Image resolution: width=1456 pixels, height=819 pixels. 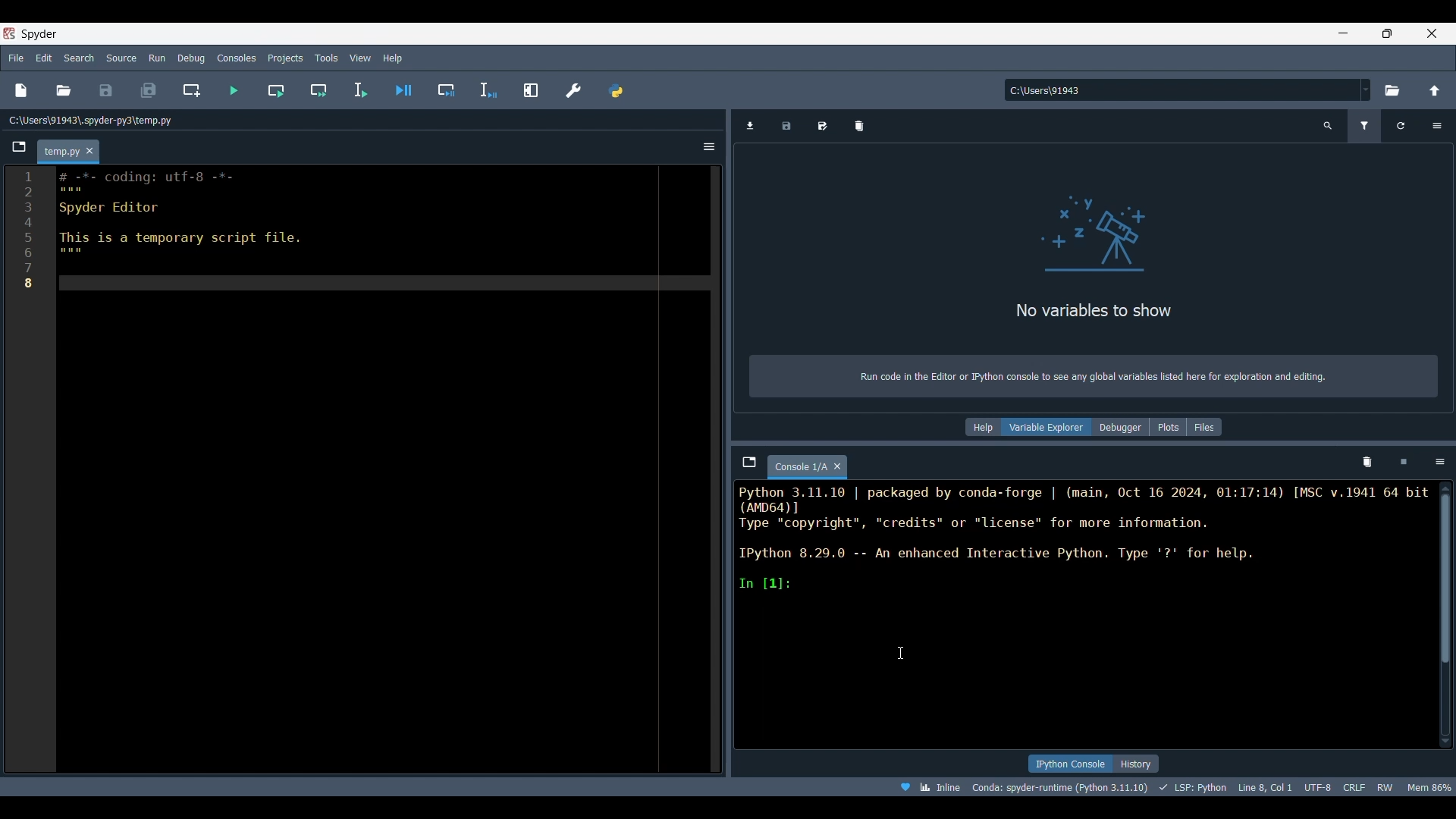 I want to click on Projects menu, so click(x=284, y=57).